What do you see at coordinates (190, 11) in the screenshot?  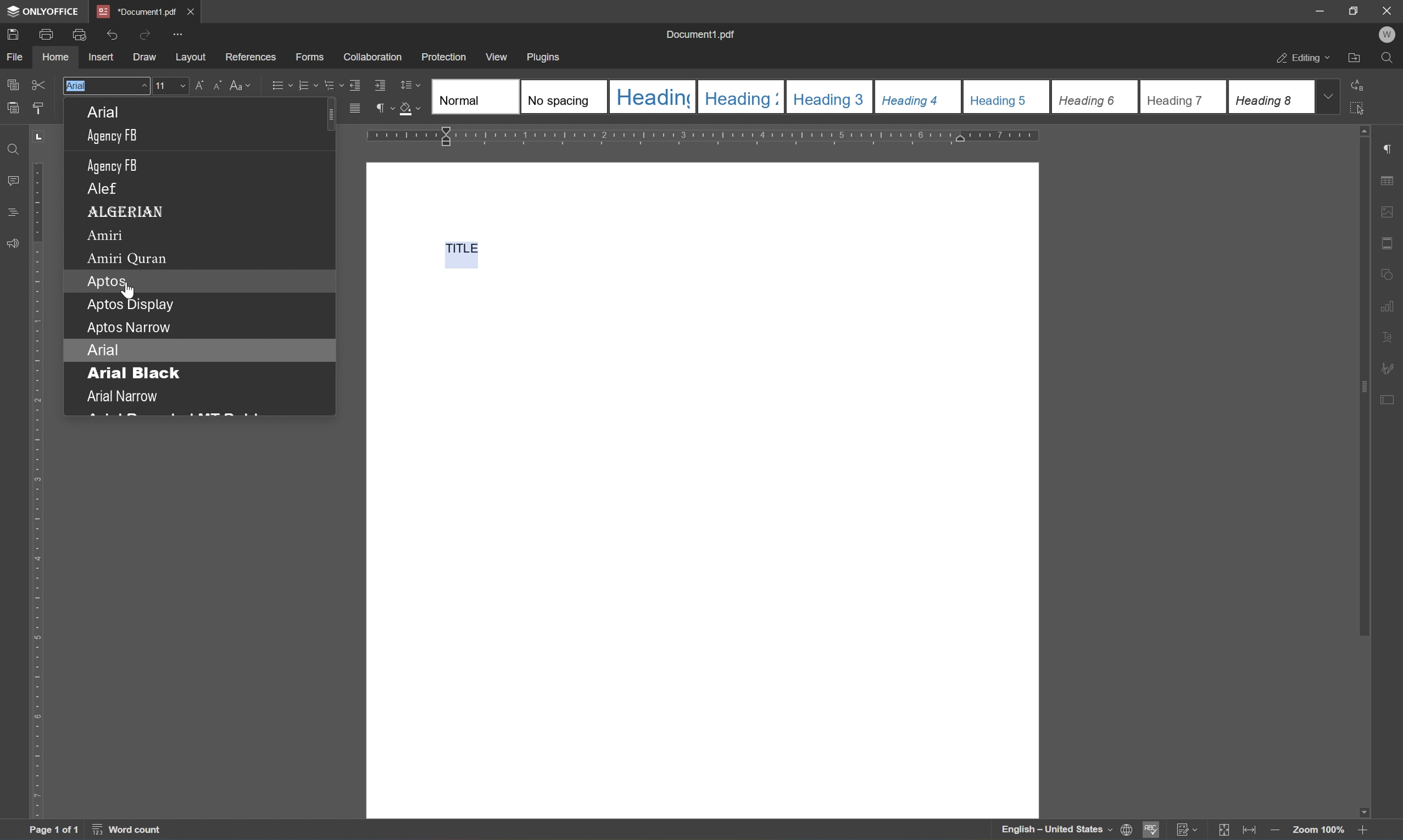 I see `close` at bounding box center [190, 11].